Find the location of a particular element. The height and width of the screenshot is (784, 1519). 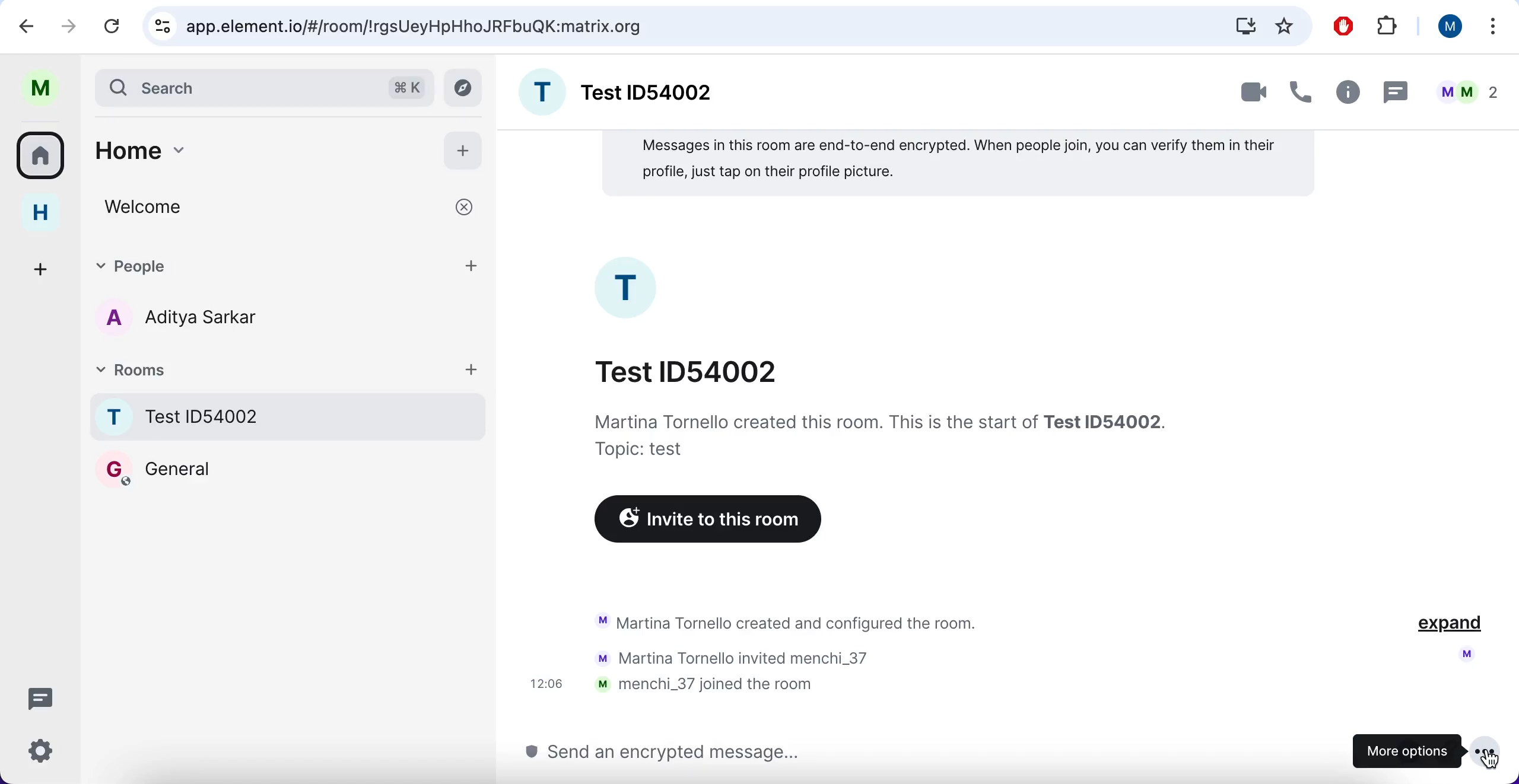

note is located at coordinates (958, 164).